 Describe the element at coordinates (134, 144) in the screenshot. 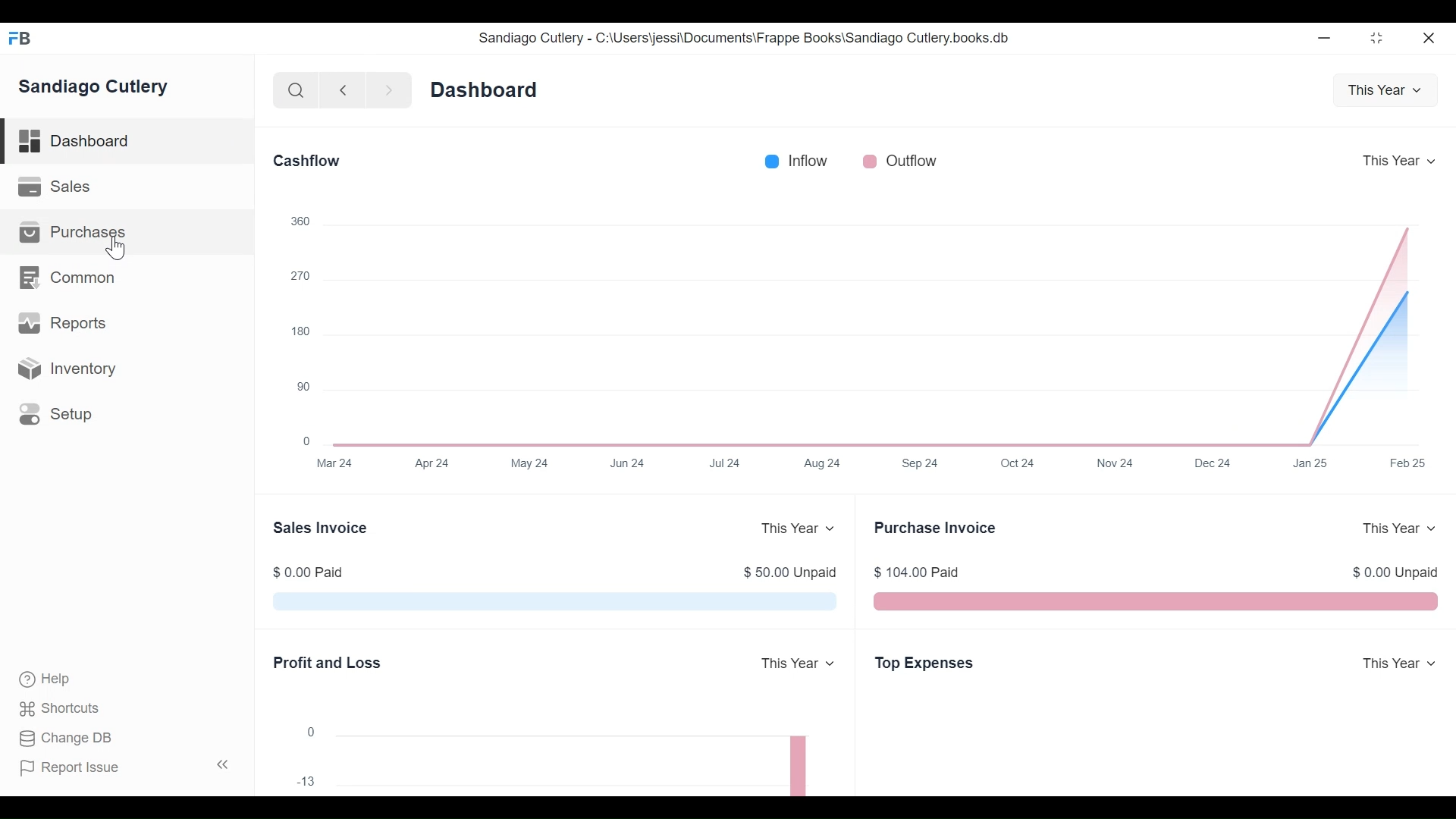

I see `Dashboard` at that location.